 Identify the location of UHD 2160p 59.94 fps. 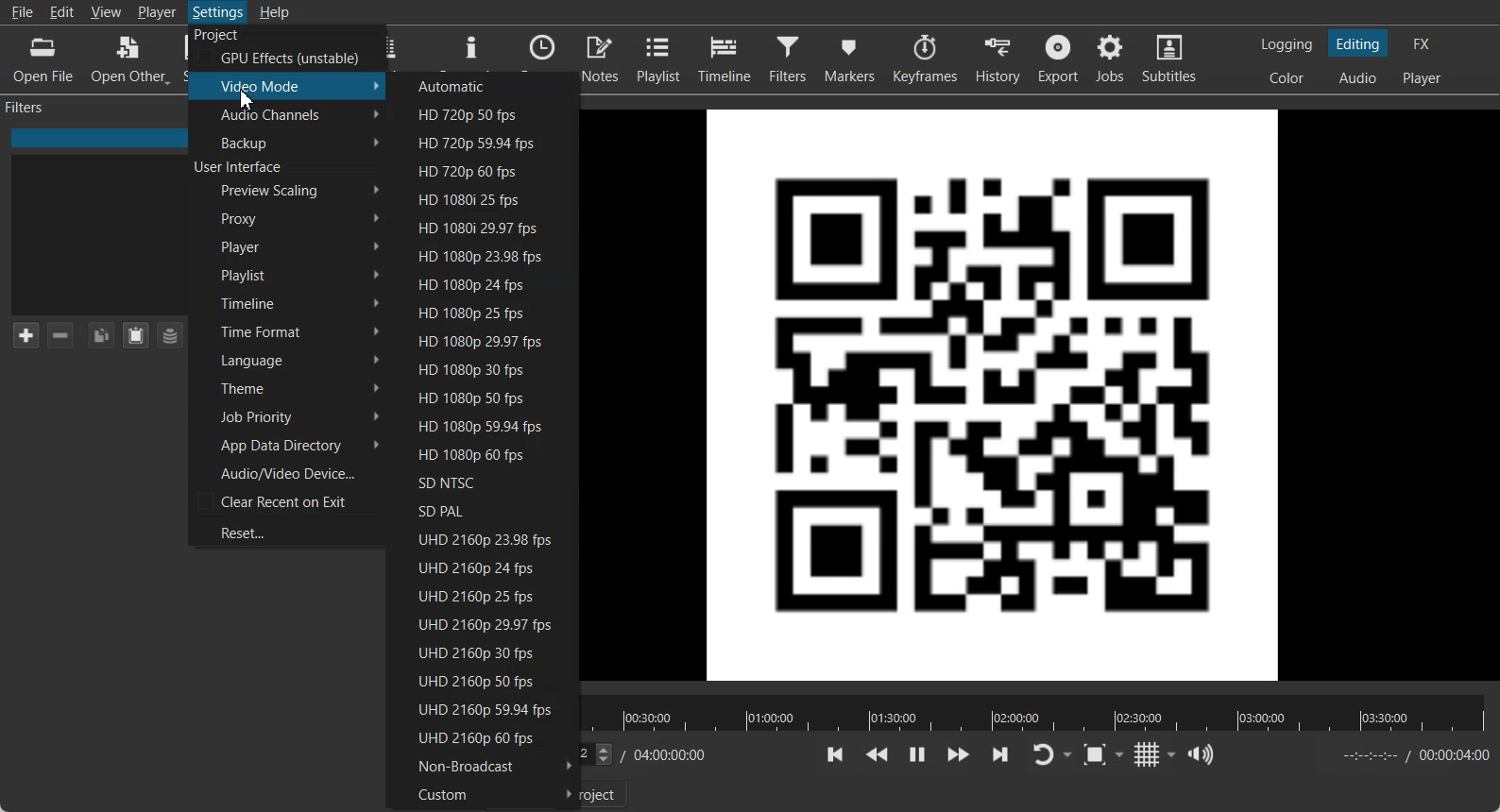
(476, 710).